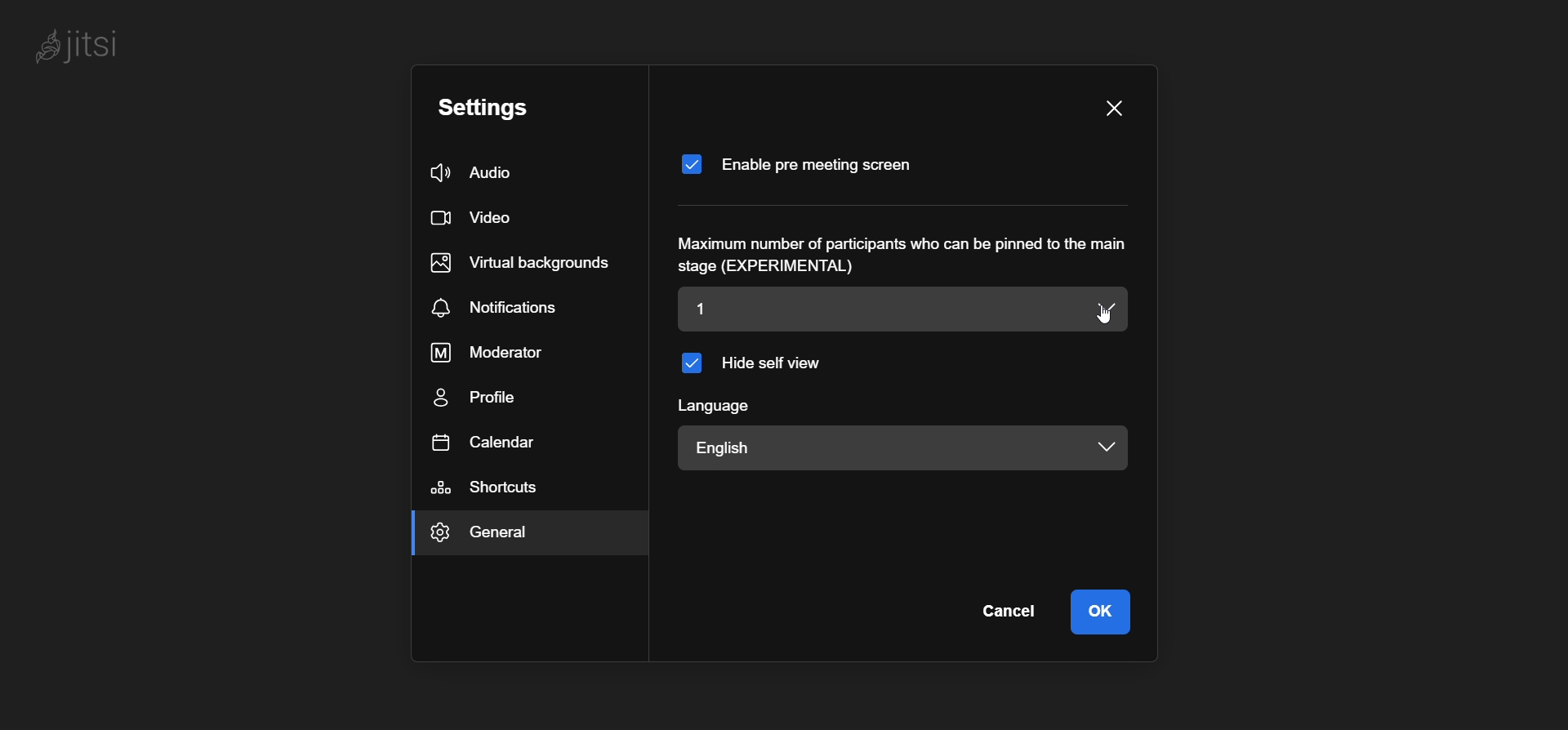 The width and height of the screenshot is (1568, 730). Describe the element at coordinates (1009, 611) in the screenshot. I see `cancel` at that location.